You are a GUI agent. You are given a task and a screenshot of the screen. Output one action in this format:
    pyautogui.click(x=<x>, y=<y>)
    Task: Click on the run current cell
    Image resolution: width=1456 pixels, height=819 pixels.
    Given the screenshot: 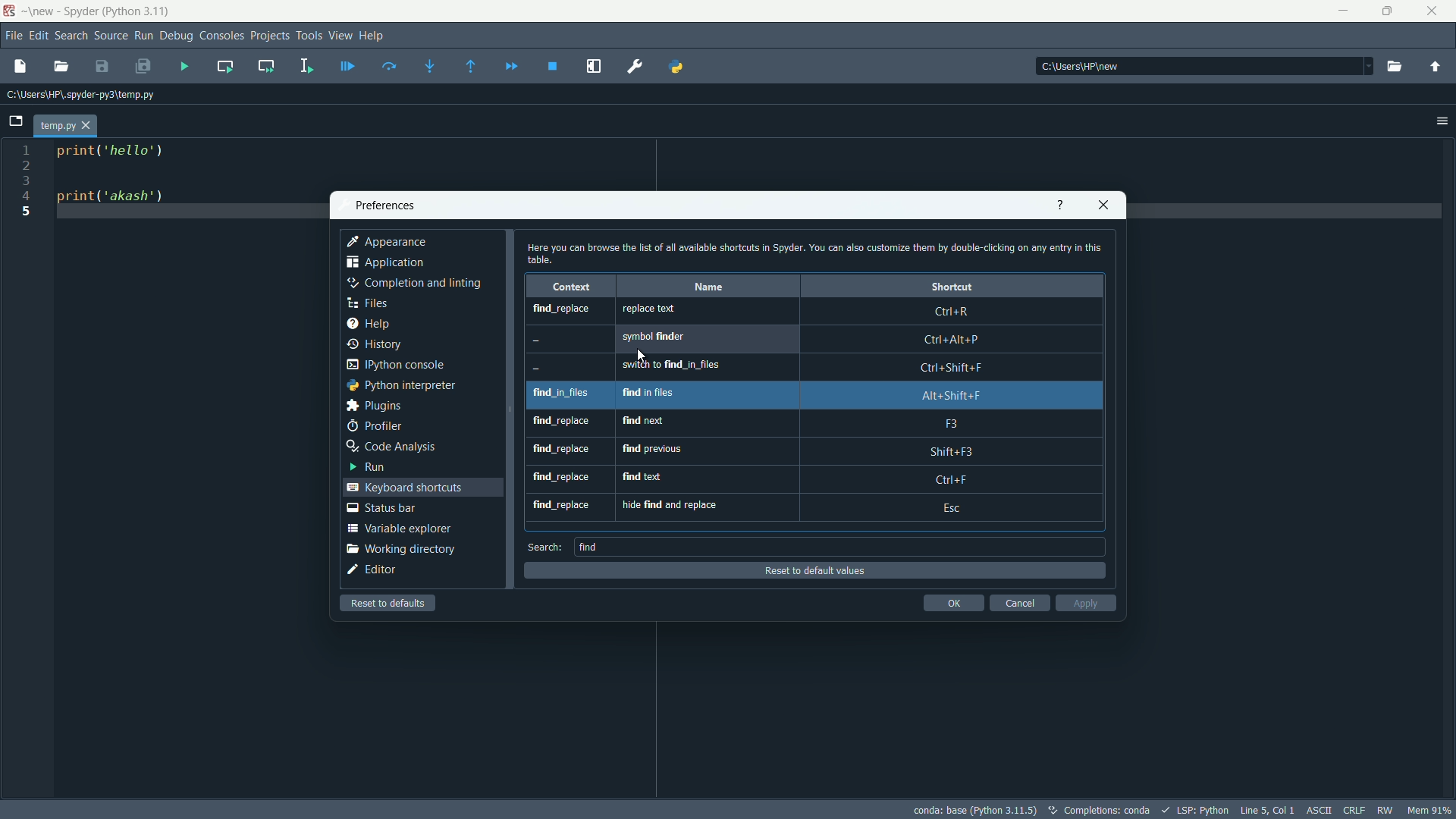 What is the action you would take?
    pyautogui.click(x=225, y=67)
    